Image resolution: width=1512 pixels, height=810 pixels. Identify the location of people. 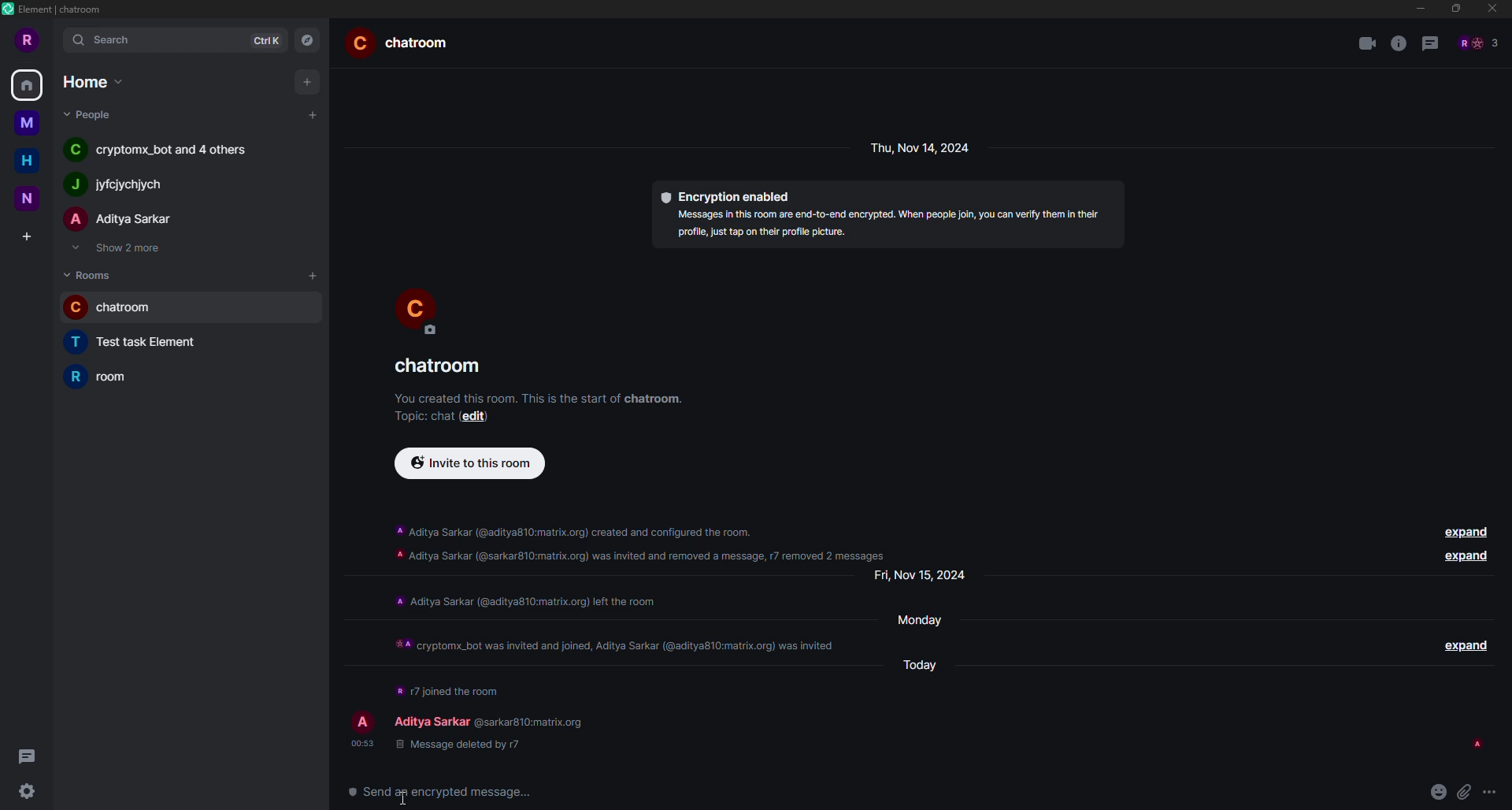
(116, 185).